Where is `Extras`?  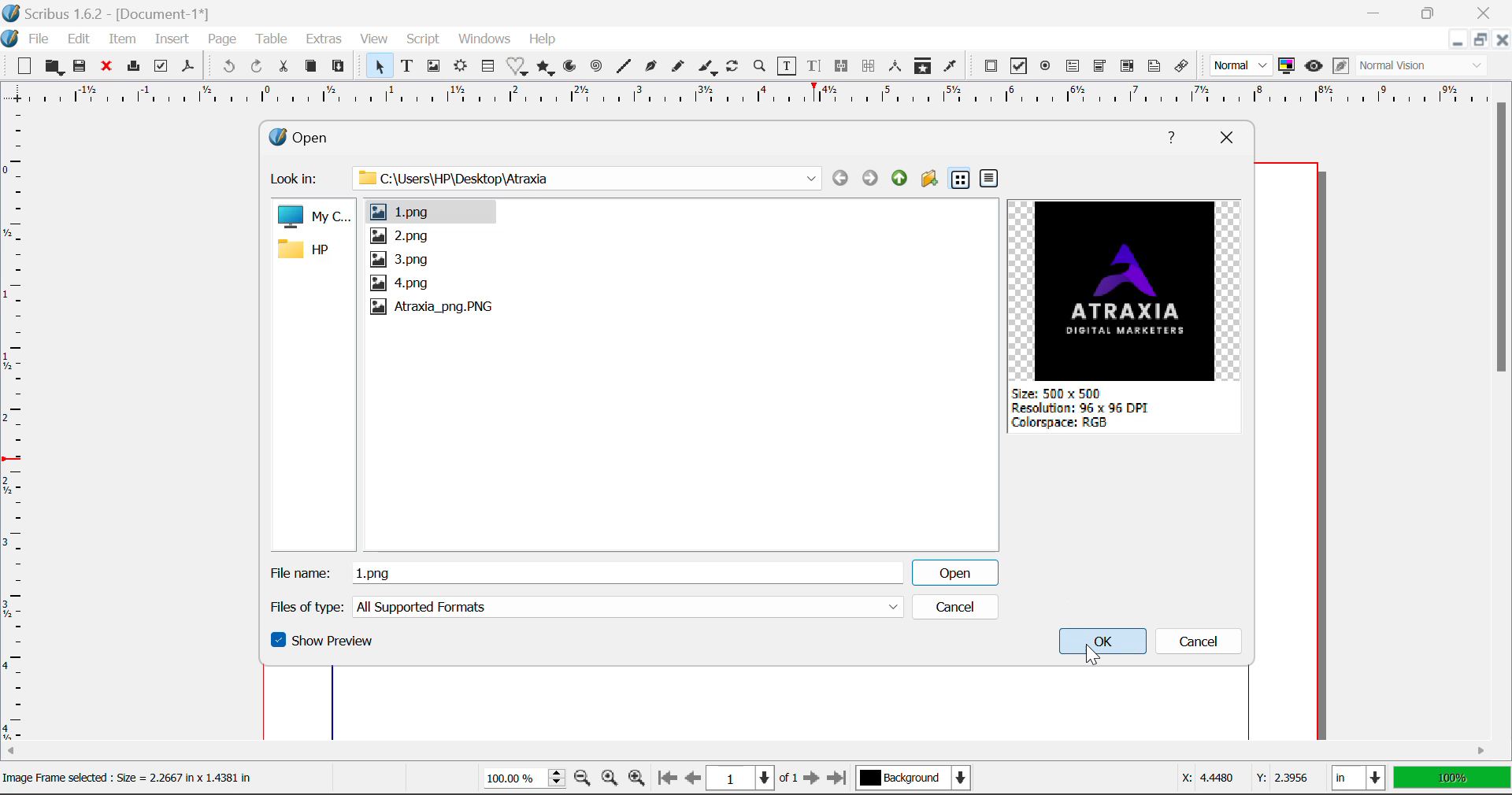 Extras is located at coordinates (327, 40).